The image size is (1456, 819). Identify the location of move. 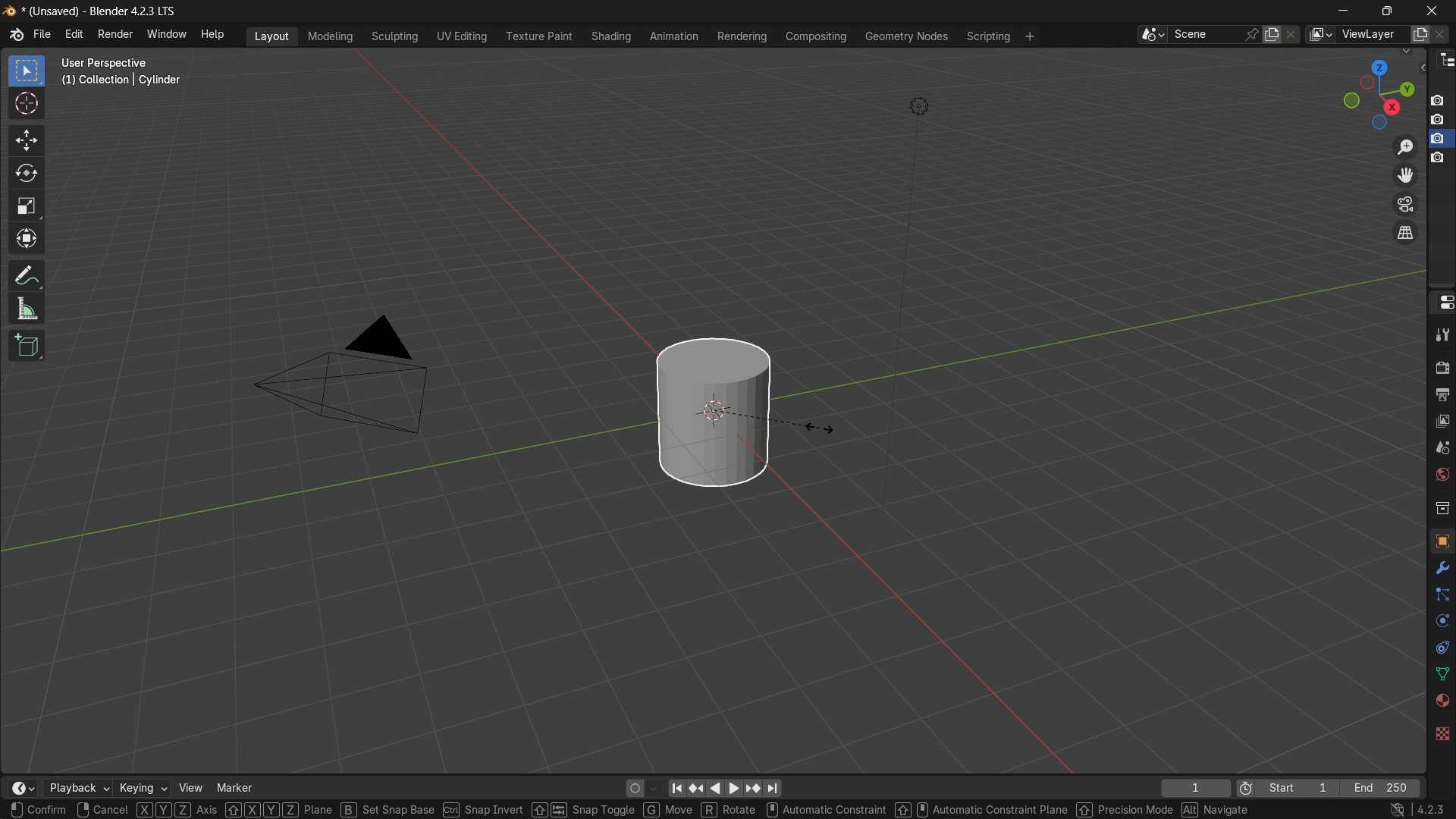
(28, 140).